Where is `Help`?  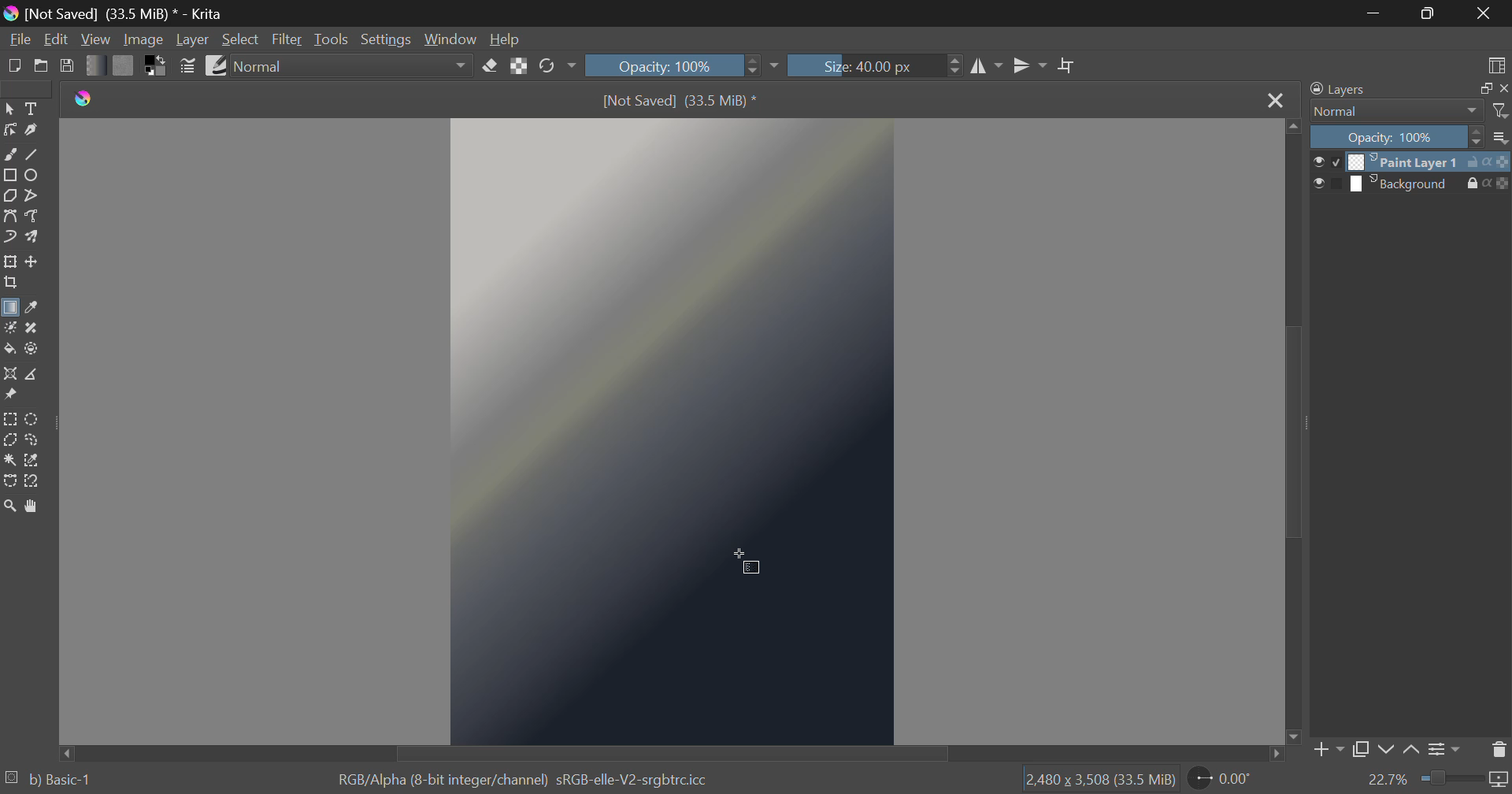 Help is located at coordinates (505, 39).